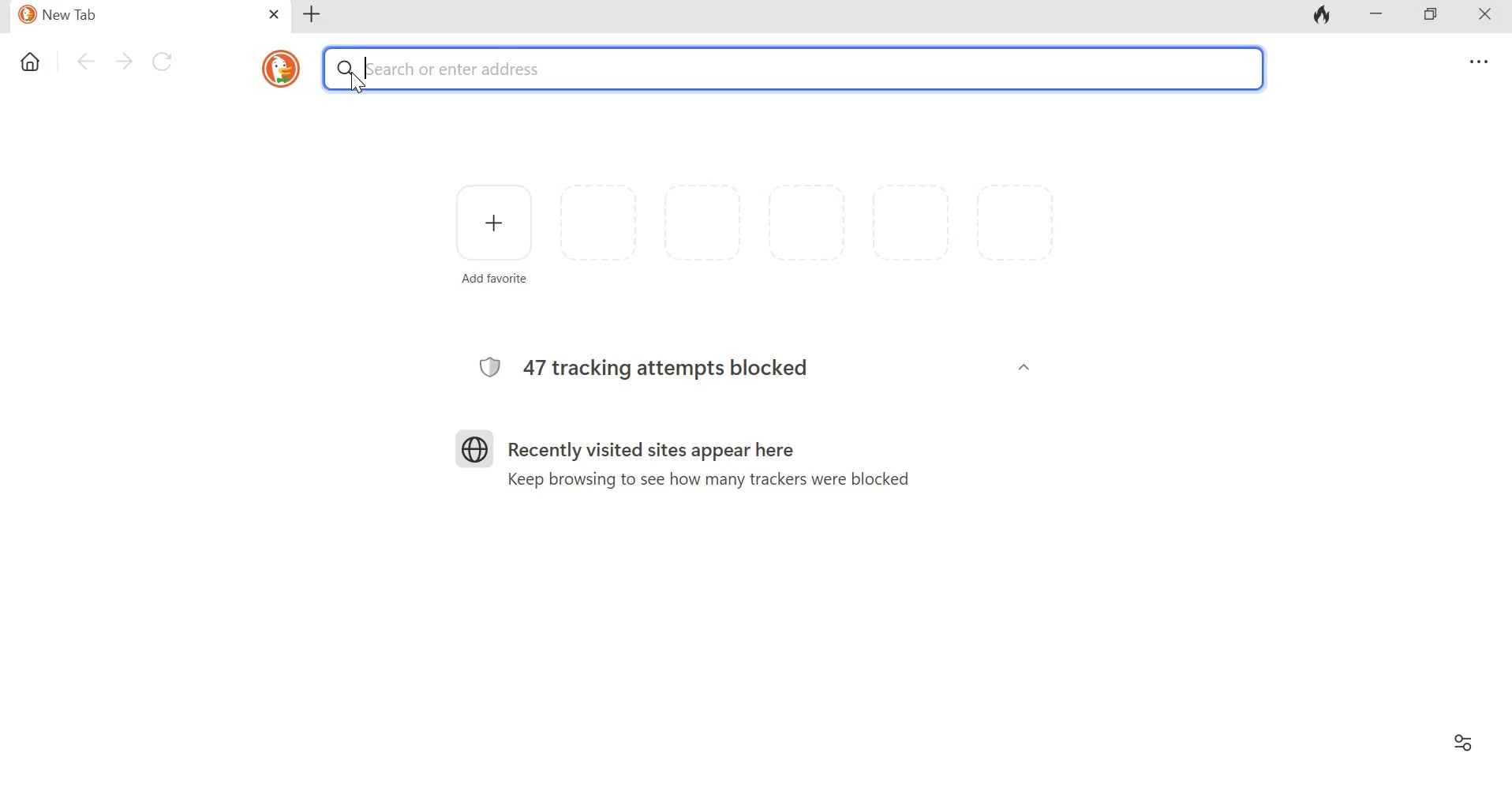  I want to click on Minimize, so click(1380, 16).